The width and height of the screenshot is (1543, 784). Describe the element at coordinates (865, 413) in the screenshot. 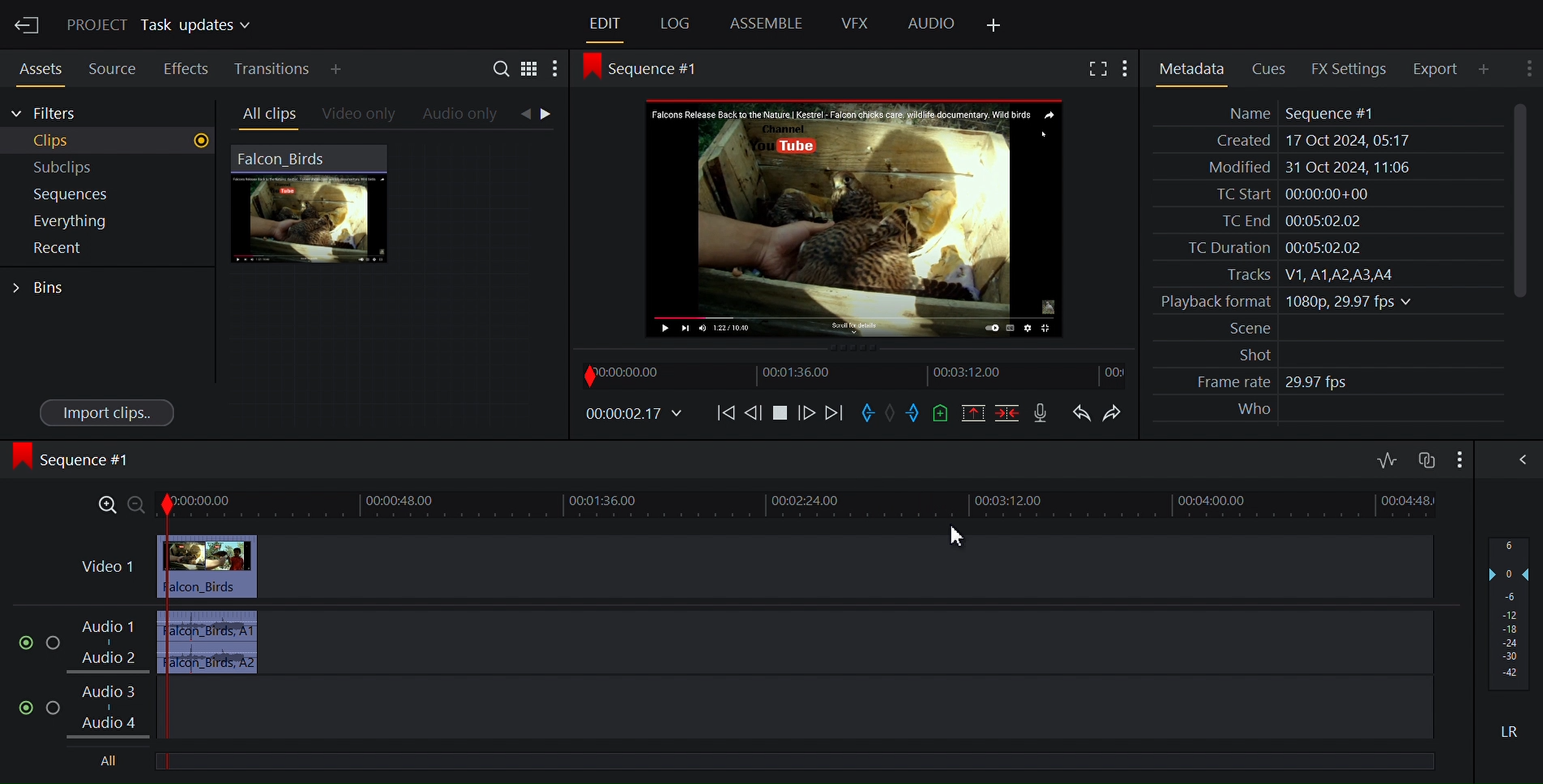

I see `Mark in` at that location.